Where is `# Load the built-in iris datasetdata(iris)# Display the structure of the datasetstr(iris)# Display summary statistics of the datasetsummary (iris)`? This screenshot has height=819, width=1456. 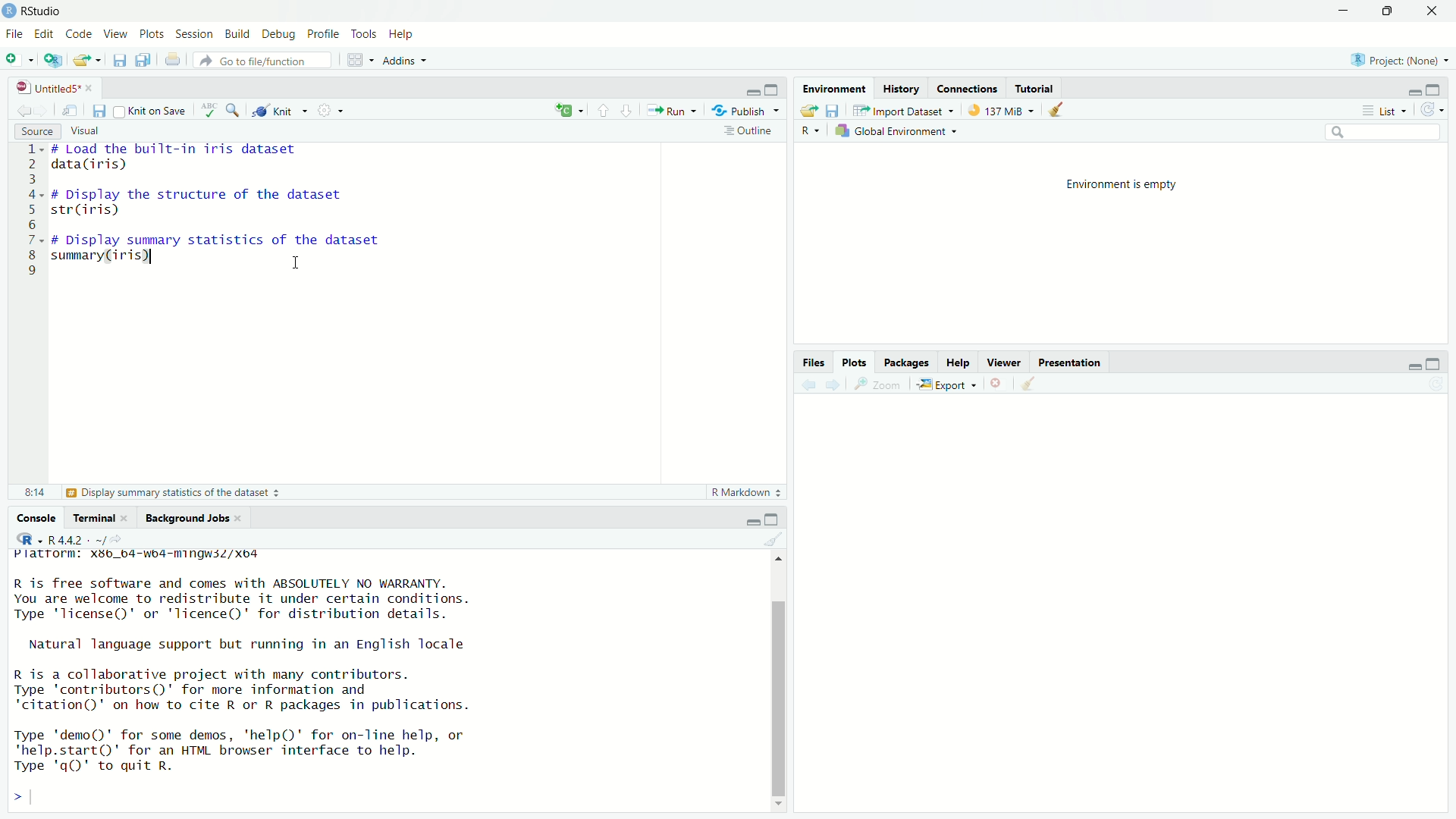
# Load the built-in iris datasetdata(iris)# Display the structure of the datasetstr(iris)# Display summary statistics of the datasetsummary (iris) is located at coordinates (226, 215).